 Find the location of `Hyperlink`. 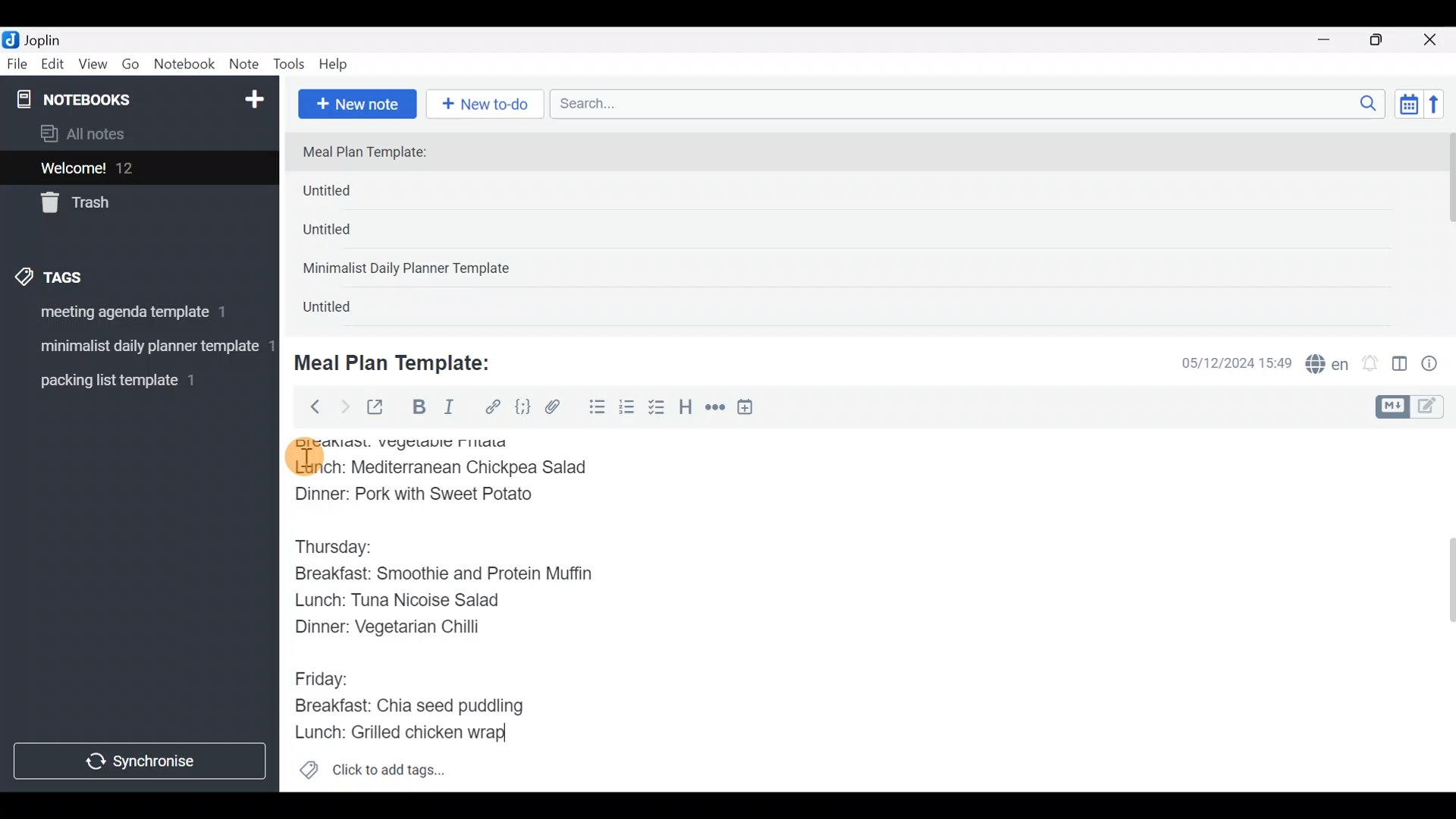

Hyperlink is located at coordinates (493, 407).